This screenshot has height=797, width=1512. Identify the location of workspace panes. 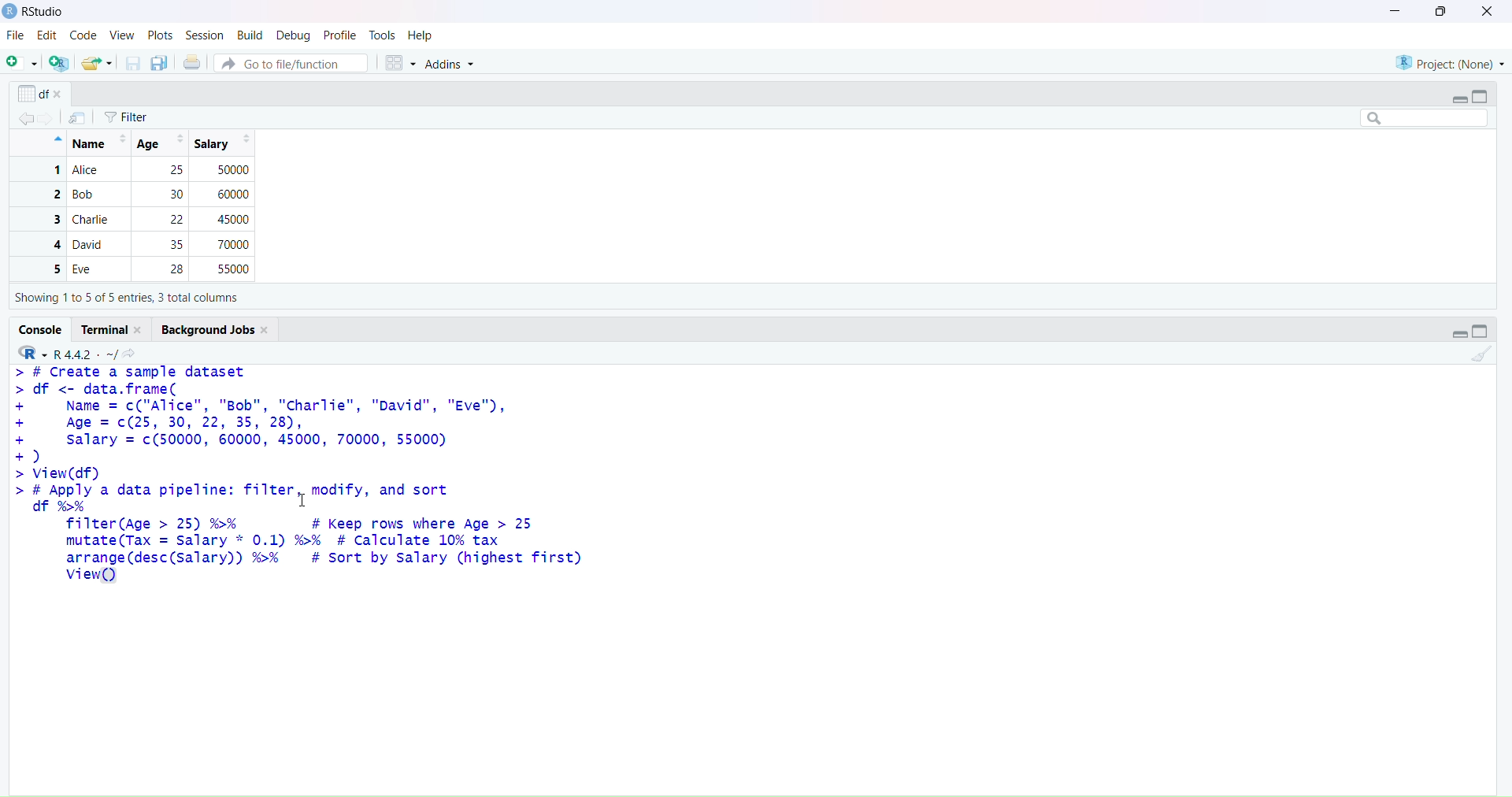
(399, 64).